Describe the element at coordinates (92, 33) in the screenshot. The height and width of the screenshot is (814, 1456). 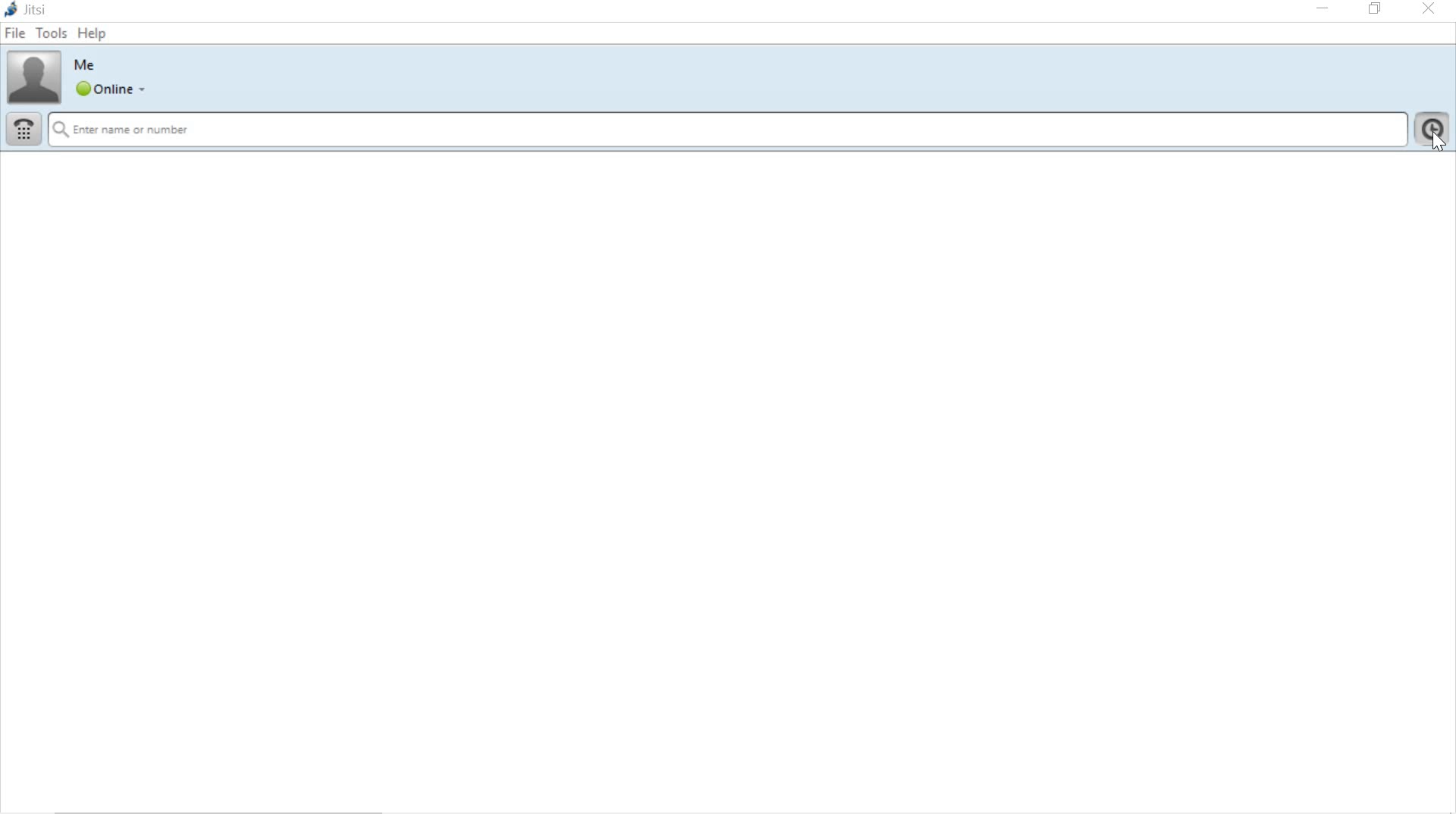
I see `help` at that location.